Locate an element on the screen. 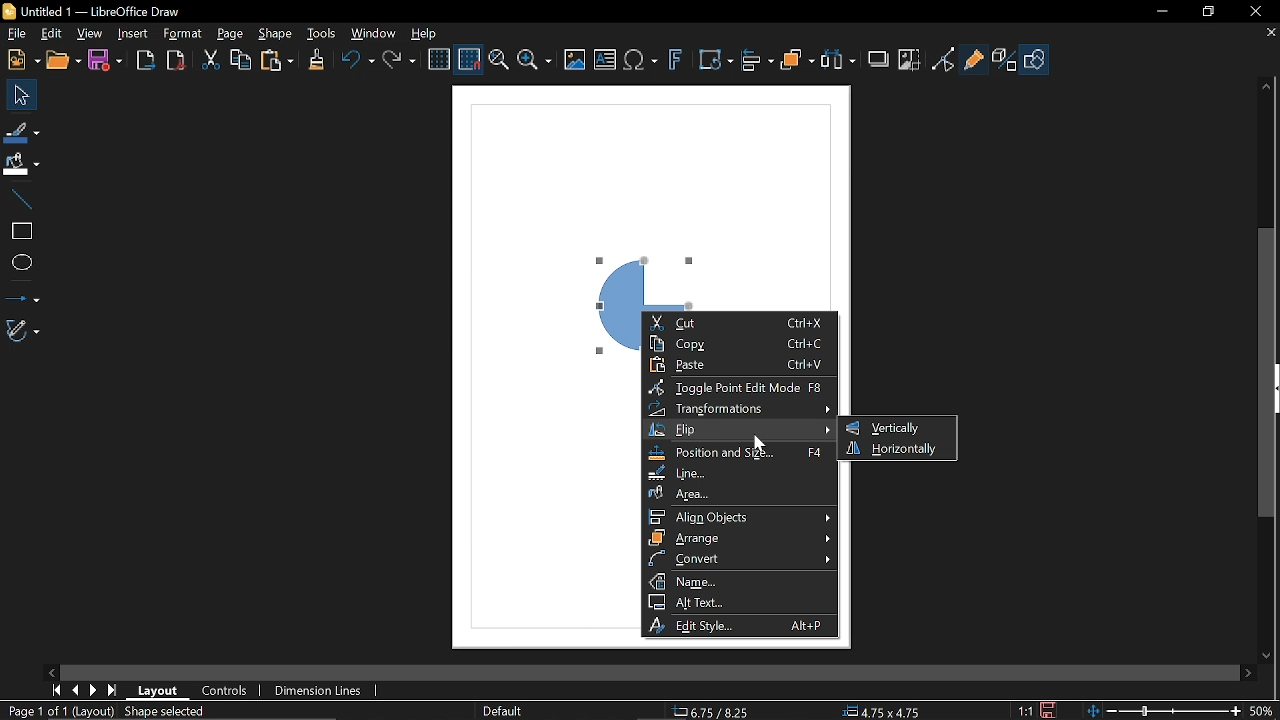 The image size is (1280, 720). Window is located at coordinates (374, 33).